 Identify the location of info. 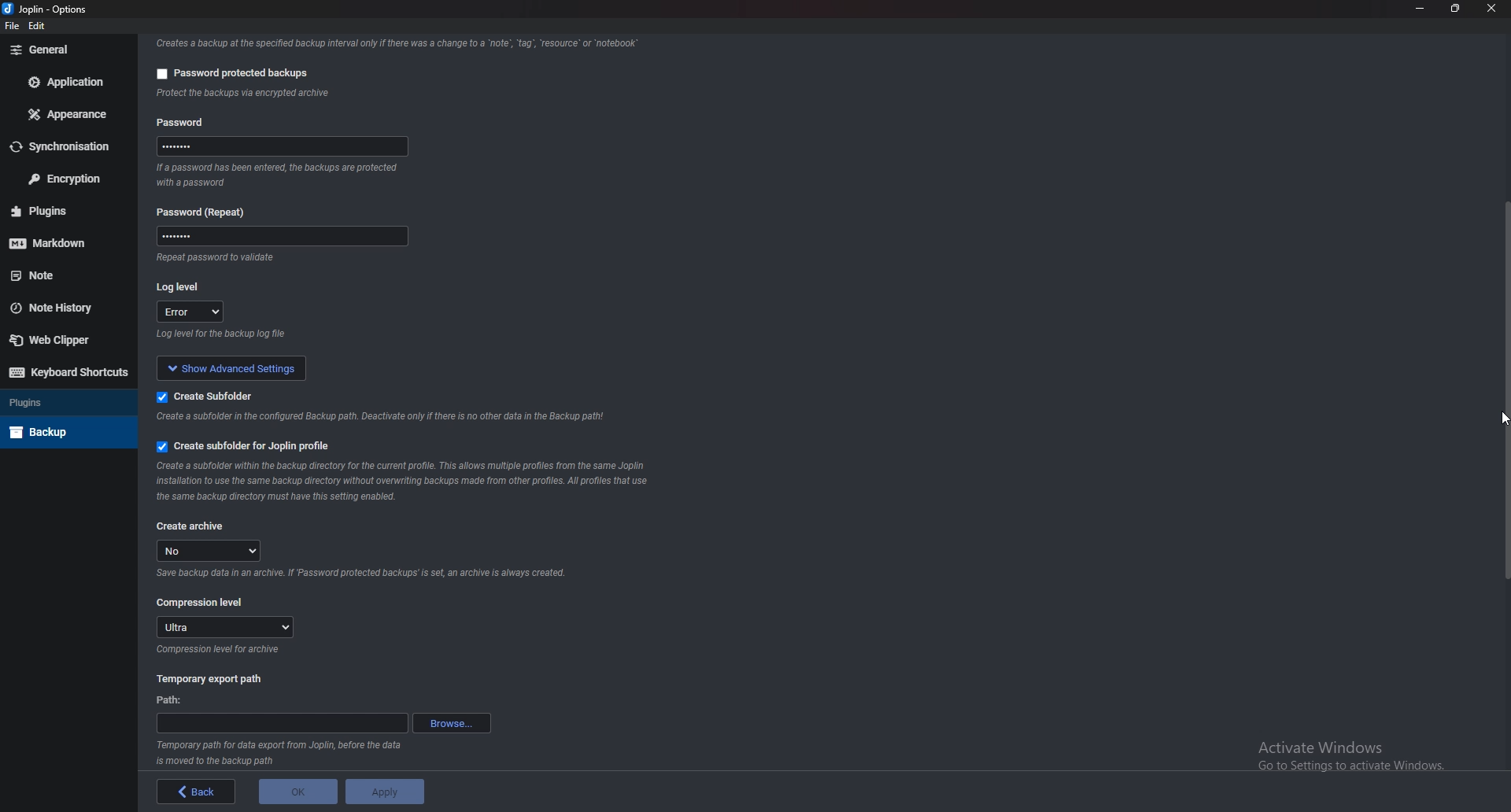
(281, 336).